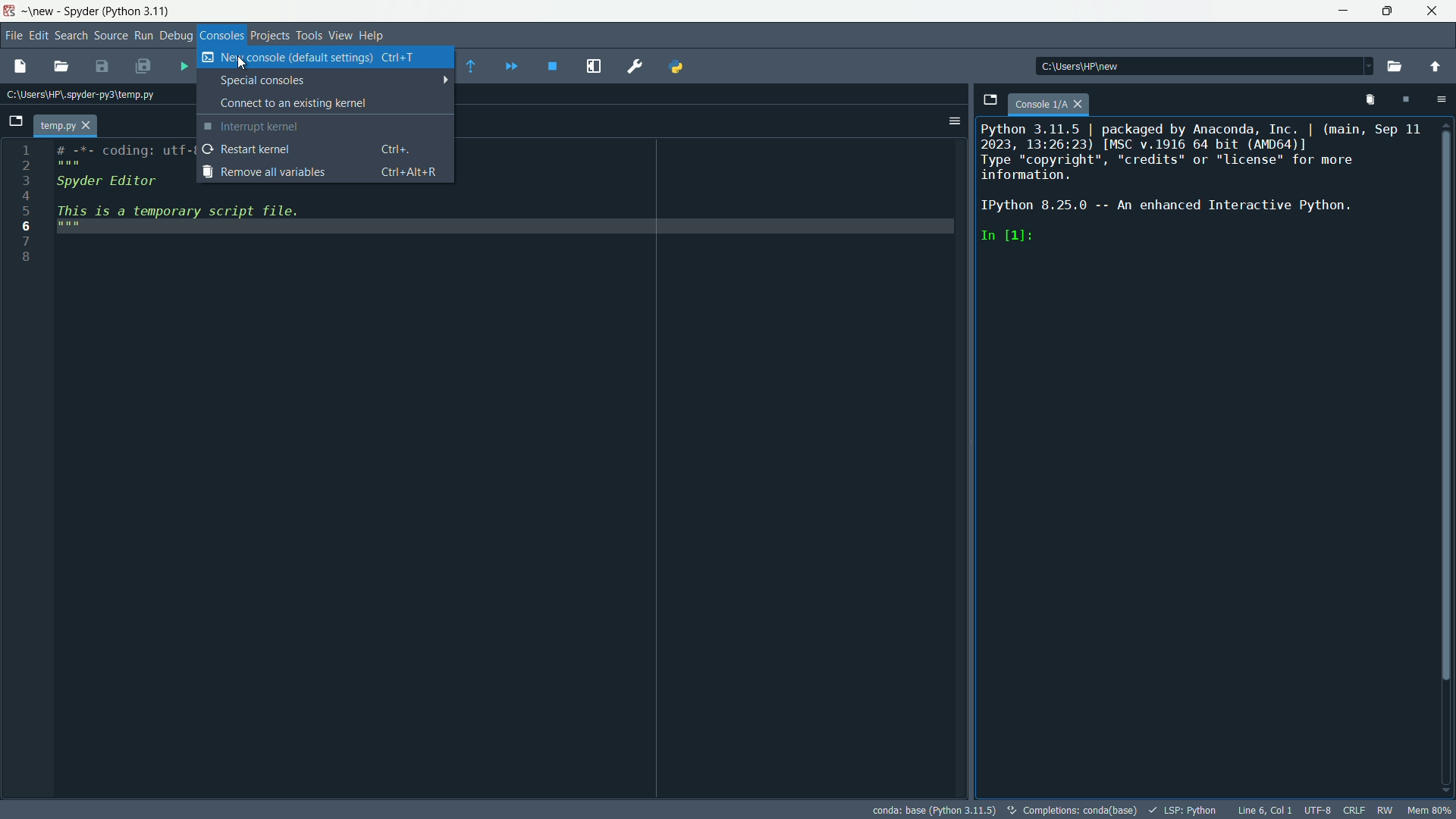 The height and width of the screenshot is (819, 1456). I want to click on close, so click(1432, 11).